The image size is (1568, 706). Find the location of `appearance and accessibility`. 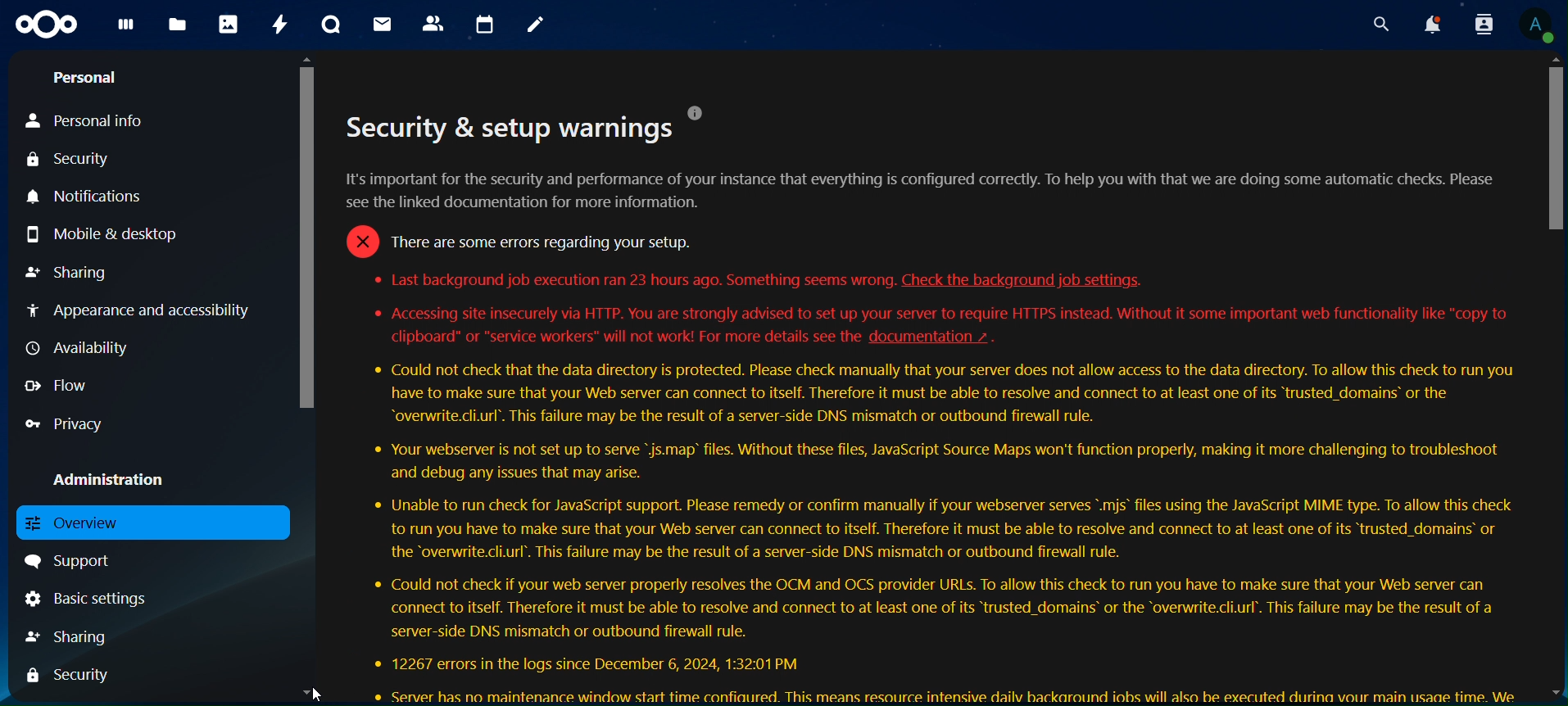

appearance and accessibility is located at coordinates (144, 310).